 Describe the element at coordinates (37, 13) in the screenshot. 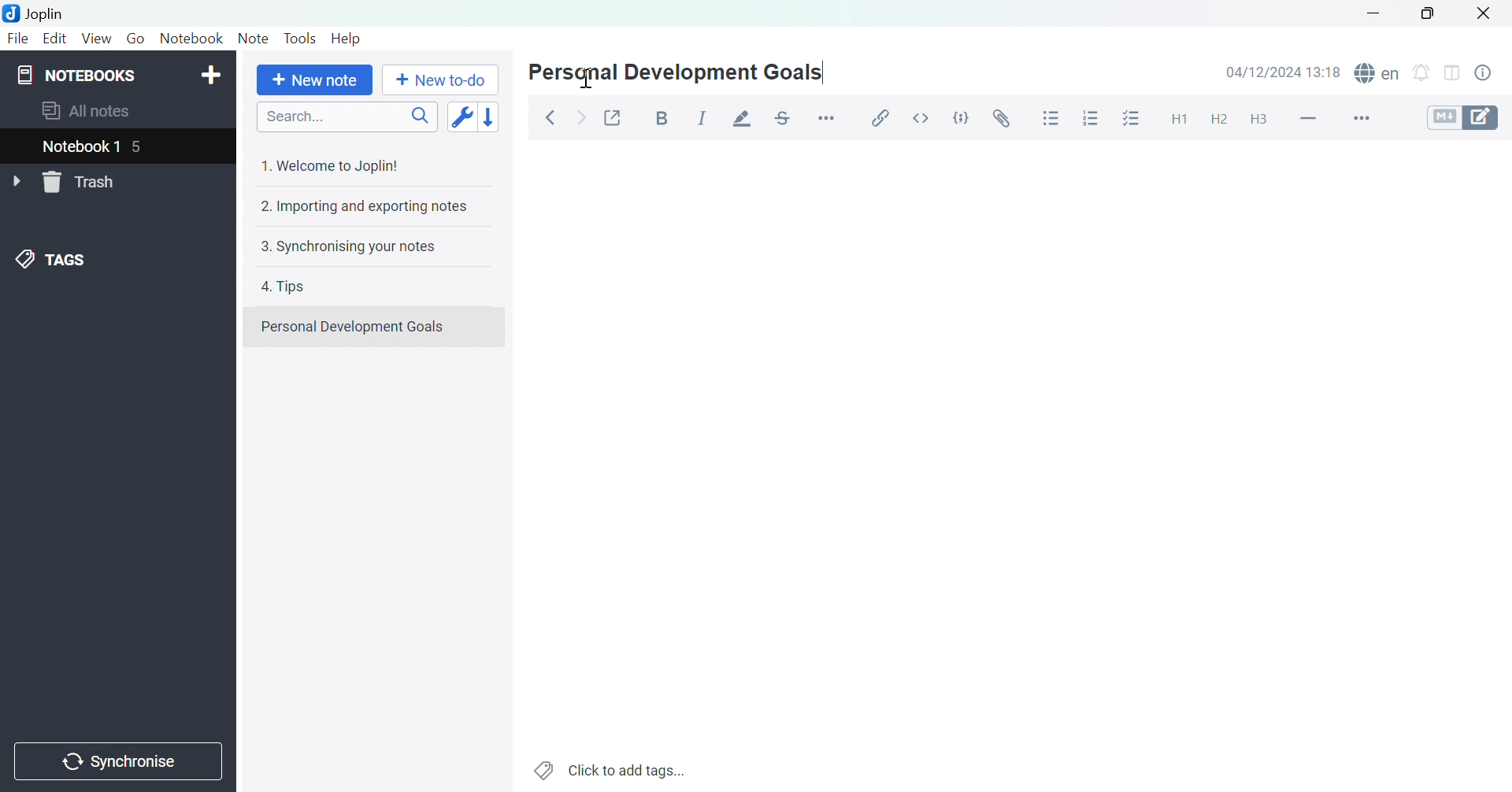

I see `Joplin` at that location.